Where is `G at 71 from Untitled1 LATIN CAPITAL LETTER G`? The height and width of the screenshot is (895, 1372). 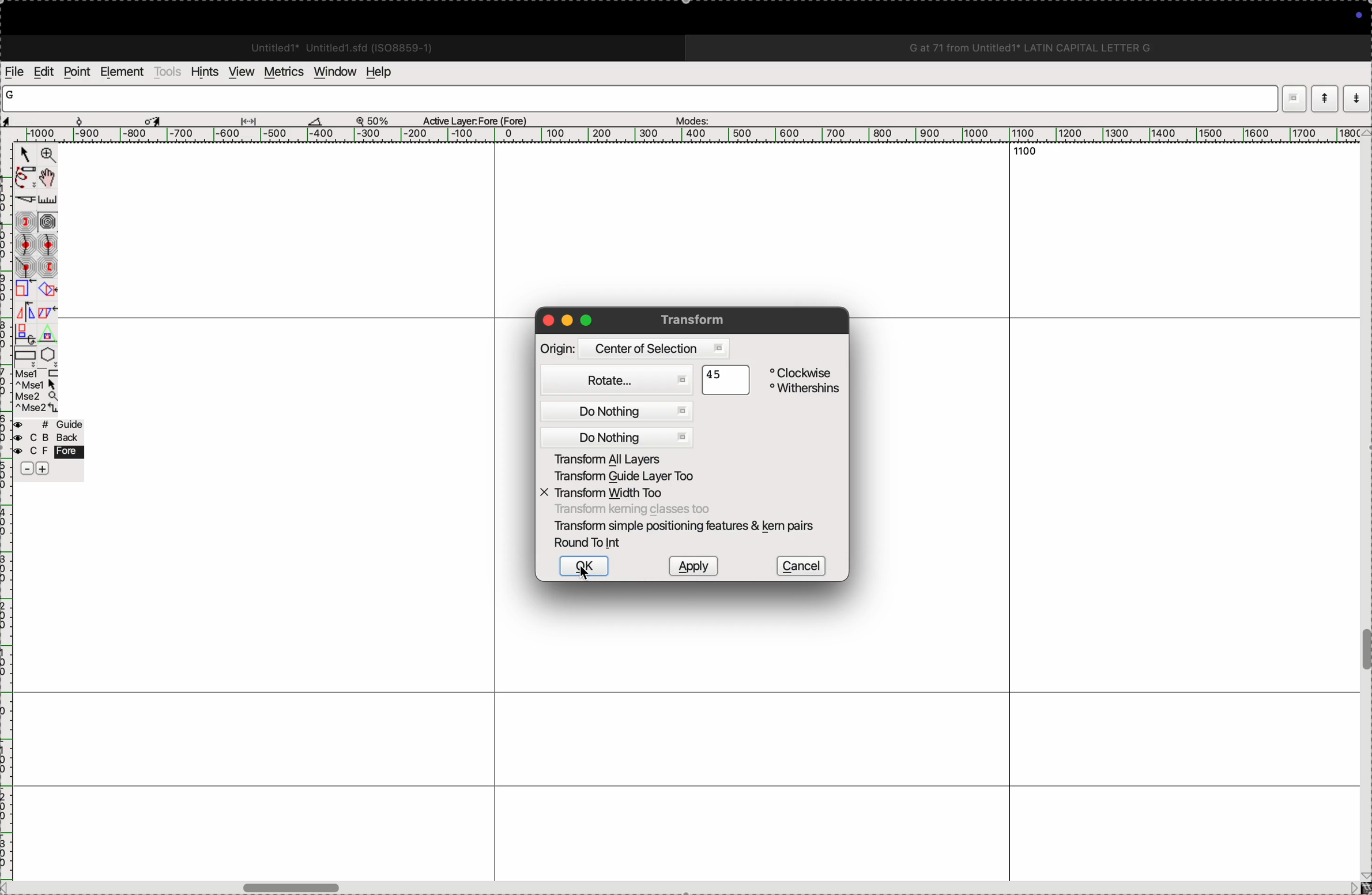 G at 71 from Untitled1 LATIN CAPITAL LETTER G is located at coordinates (1027, 46).